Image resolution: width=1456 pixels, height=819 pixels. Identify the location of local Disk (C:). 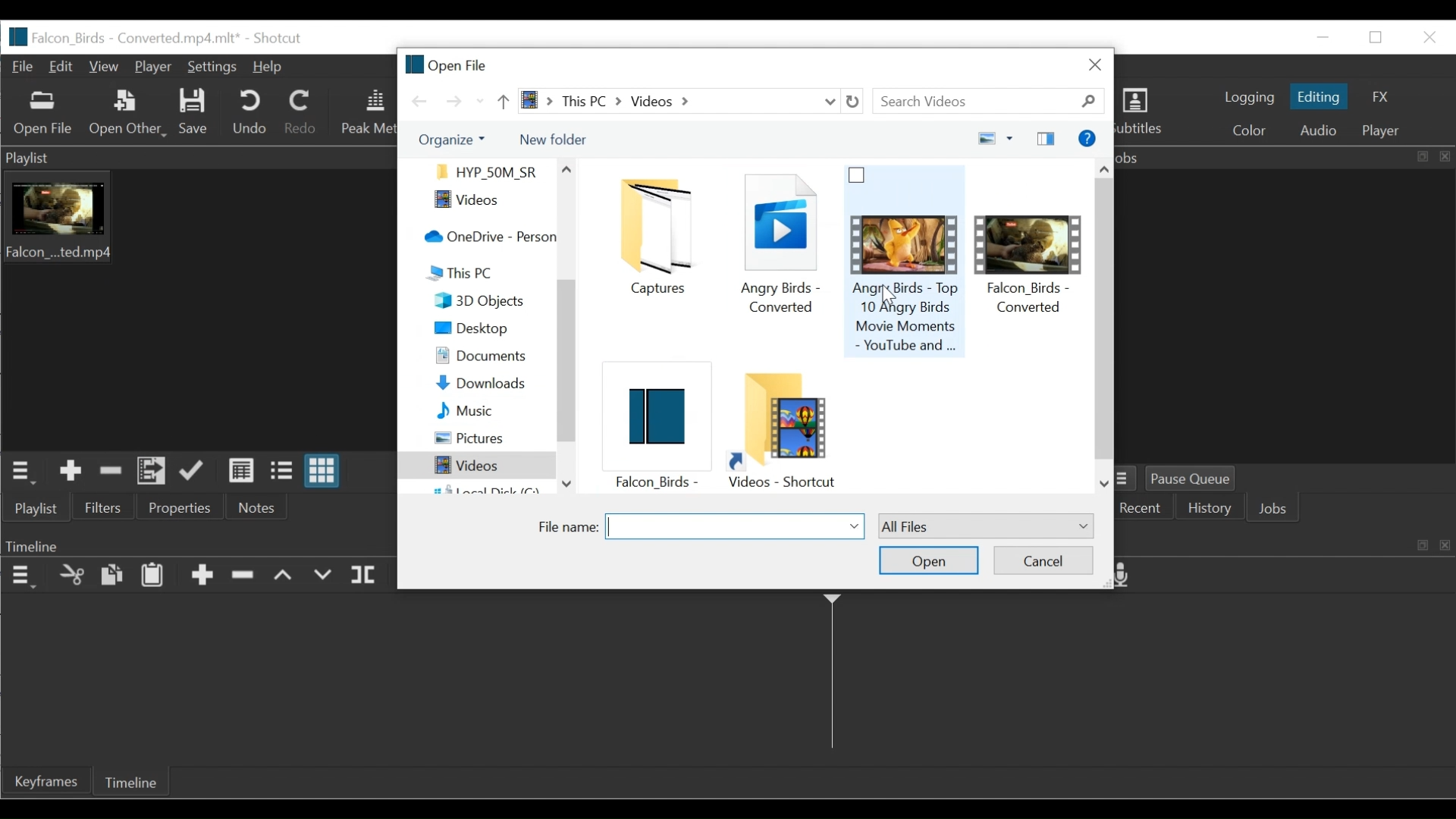
(485, 488).